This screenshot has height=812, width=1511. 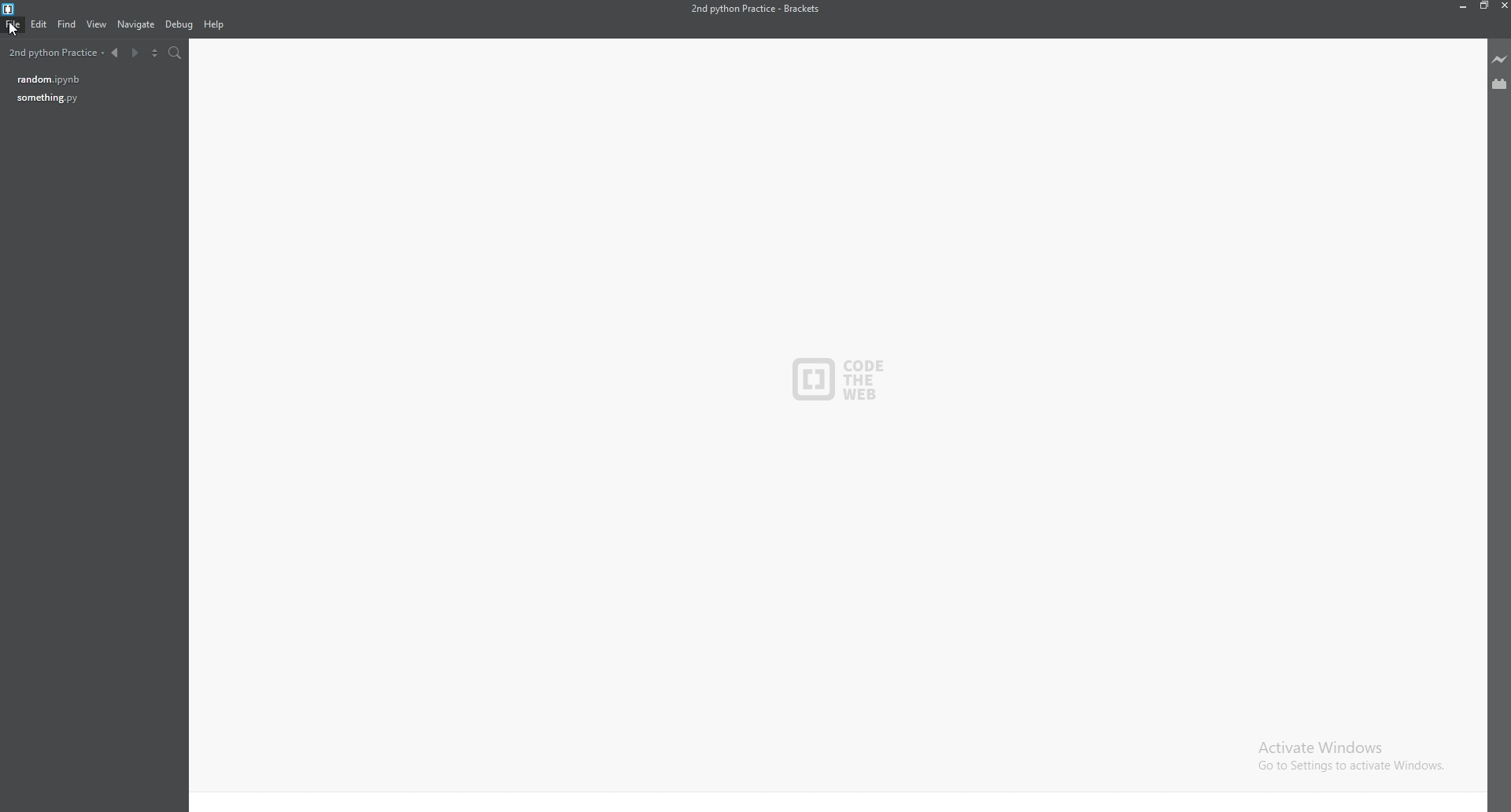 I want to click on debug, so click(x=180, y=24).